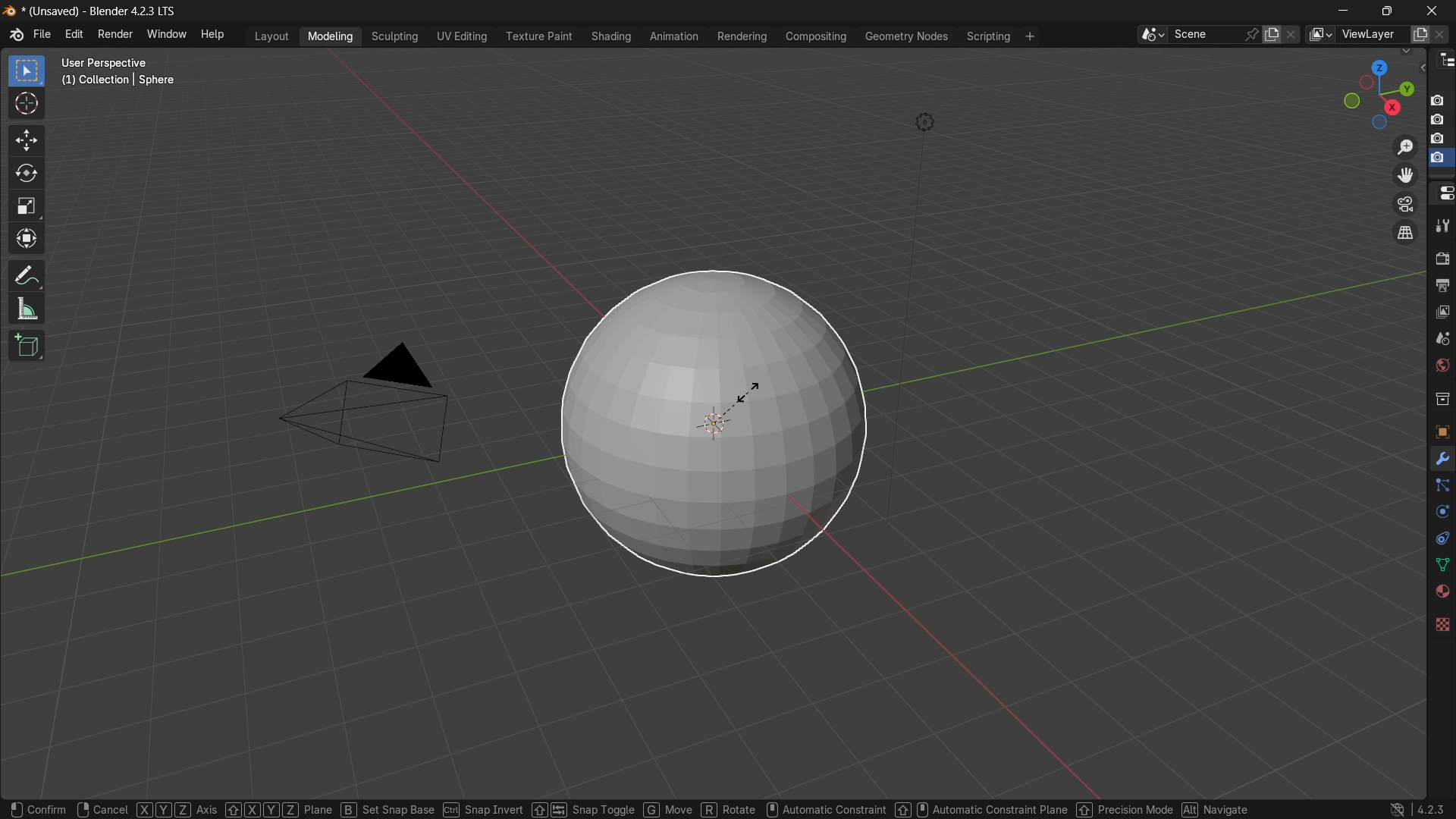 The width and height of the screenshot is (1456, 819). What do you see at coordinates (1253, 33) in the screenshot?
I see `pin scene to workplace` at bounding box center [1253, 33].